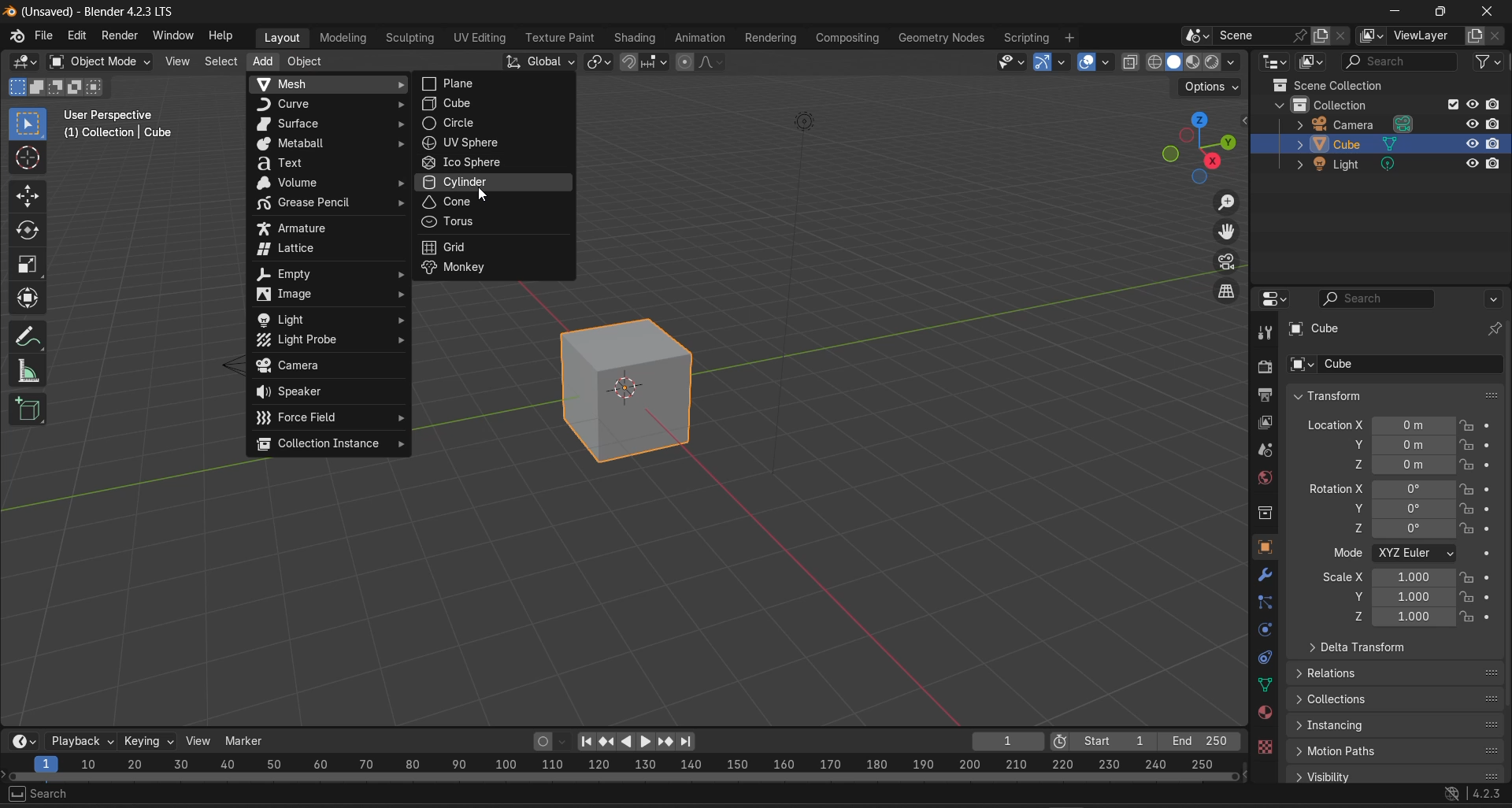 Image resolution: width=1512 pixels, height=808 pixels. What do you see at coordinates (224, 36) in the screenshot?
I see `help` at bounding box center [224, 36].